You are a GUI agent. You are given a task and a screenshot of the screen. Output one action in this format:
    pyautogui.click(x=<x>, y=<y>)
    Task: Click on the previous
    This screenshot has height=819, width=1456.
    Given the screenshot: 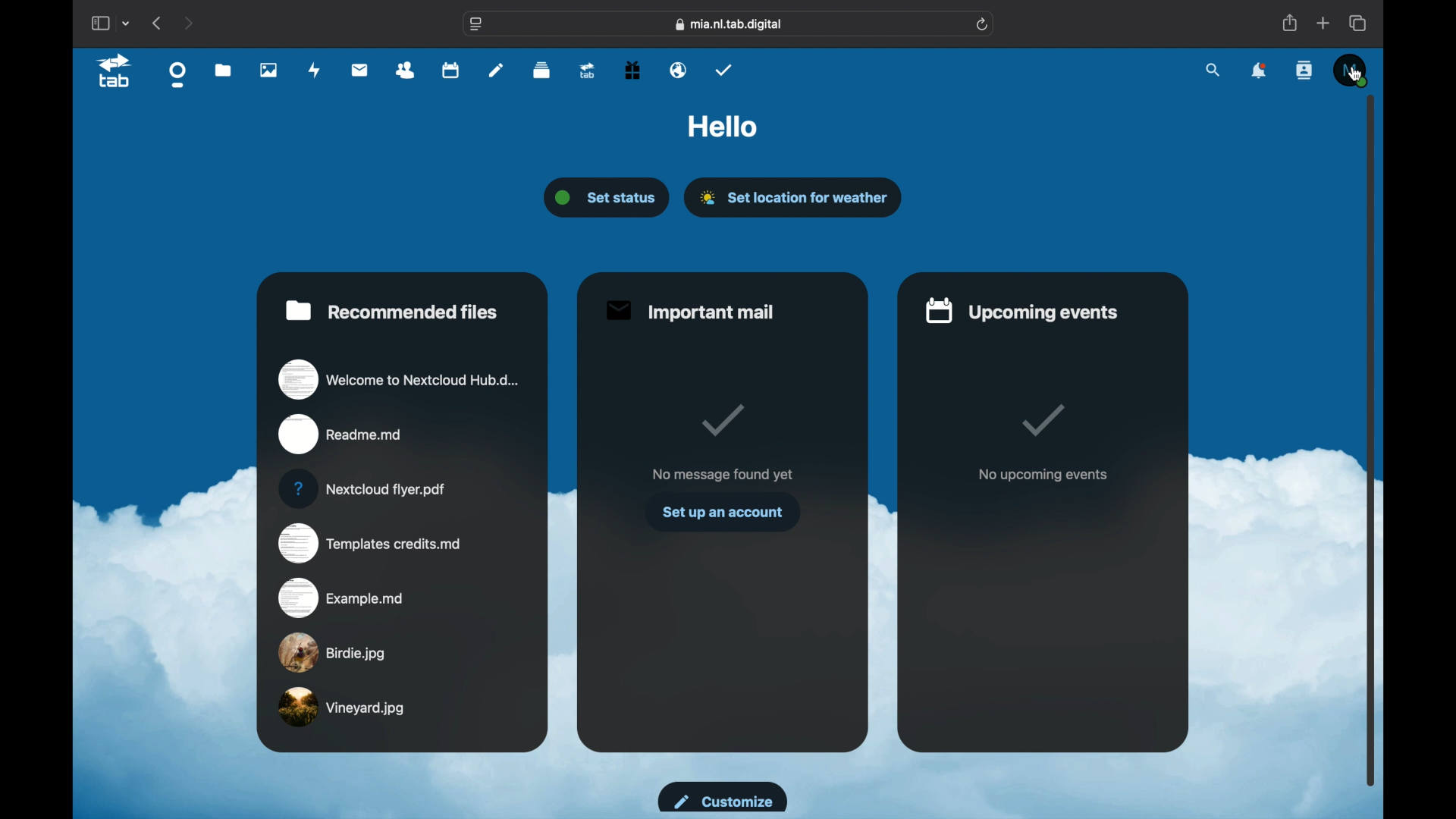 What is the action you would take?
    pyautogui.click(x=158, y=23)
    